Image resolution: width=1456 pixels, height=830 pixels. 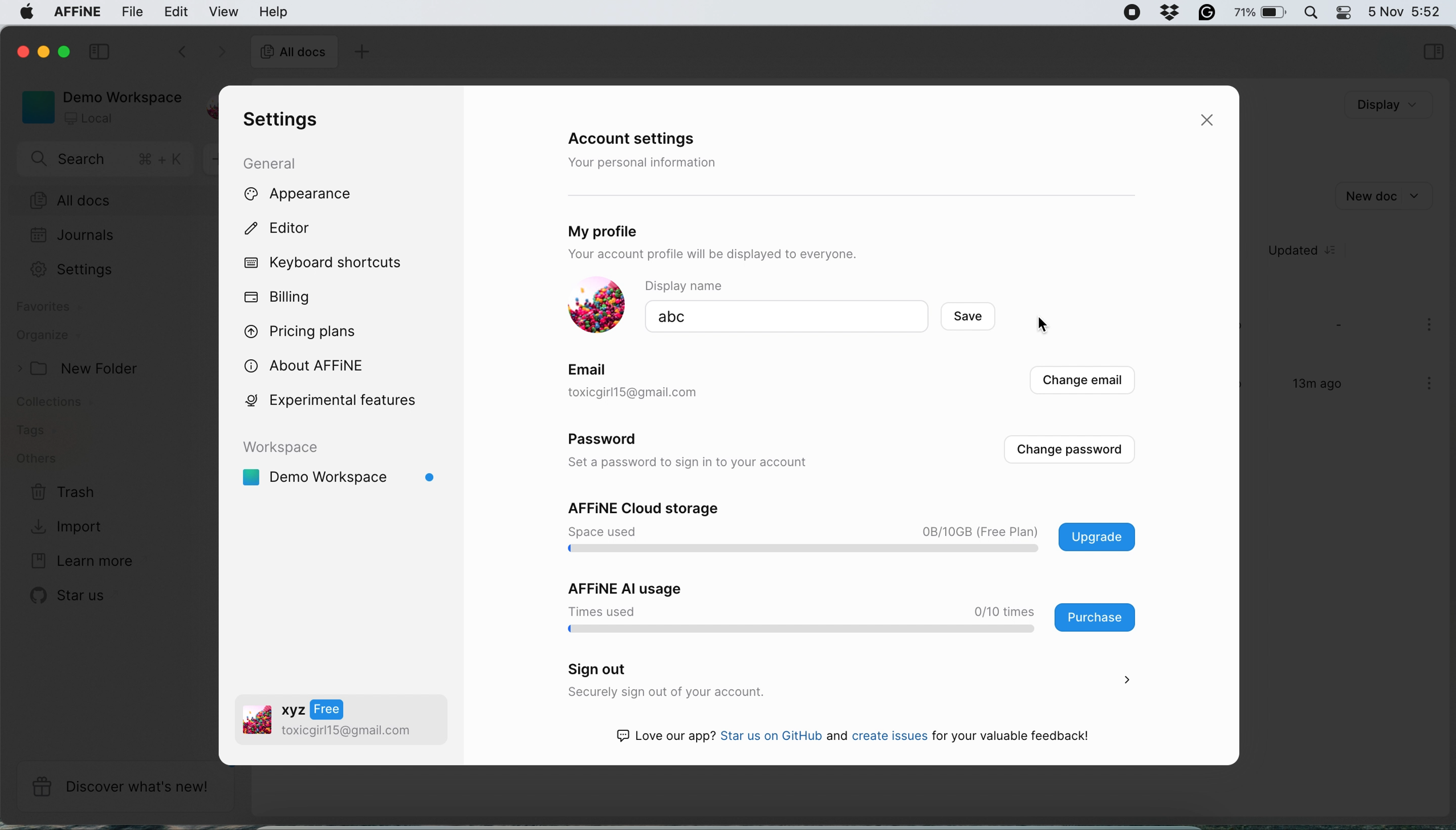 I want to click on view, so click(x=226, y=11).